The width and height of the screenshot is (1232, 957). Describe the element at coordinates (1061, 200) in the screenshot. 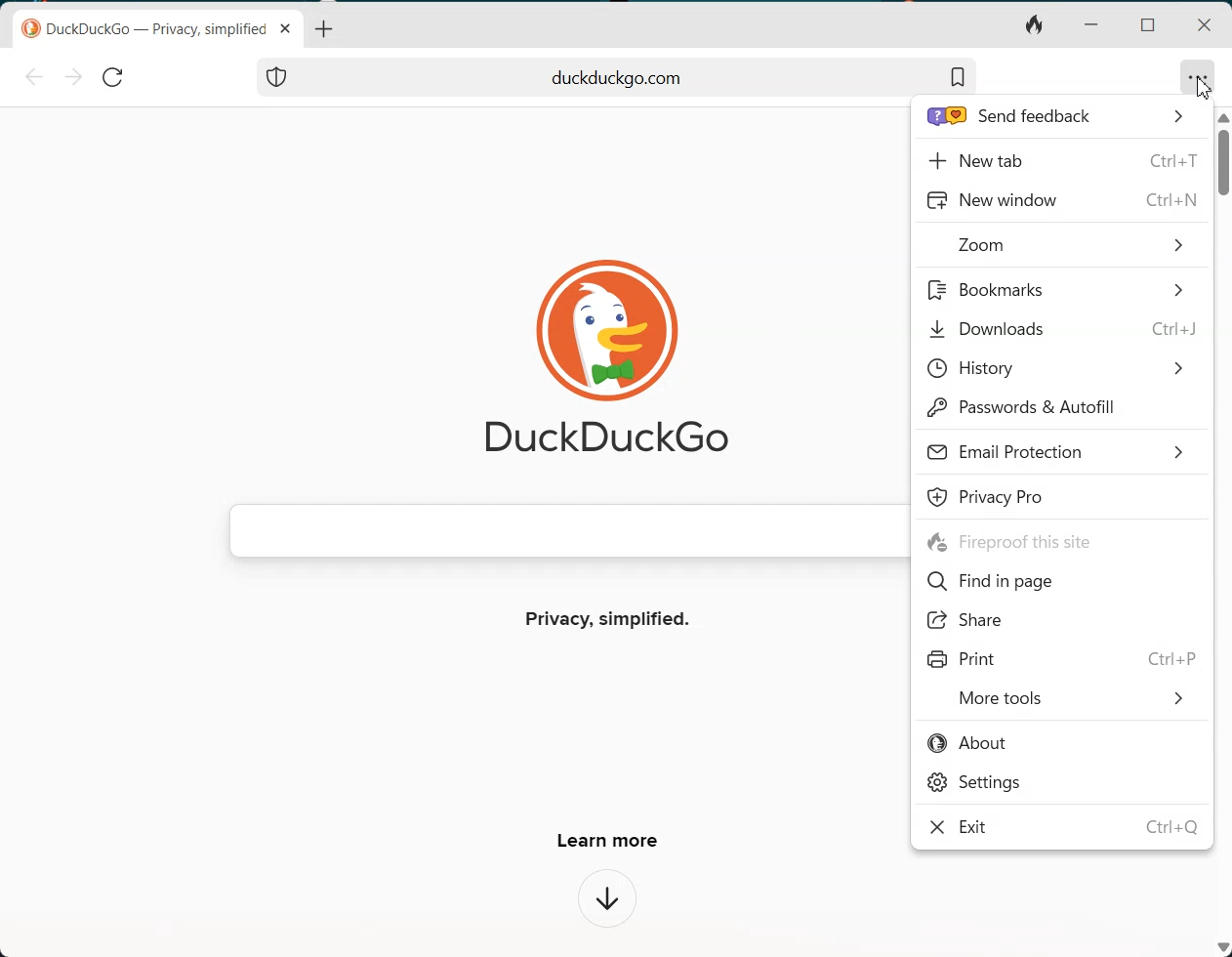

I see `New window` at that location.